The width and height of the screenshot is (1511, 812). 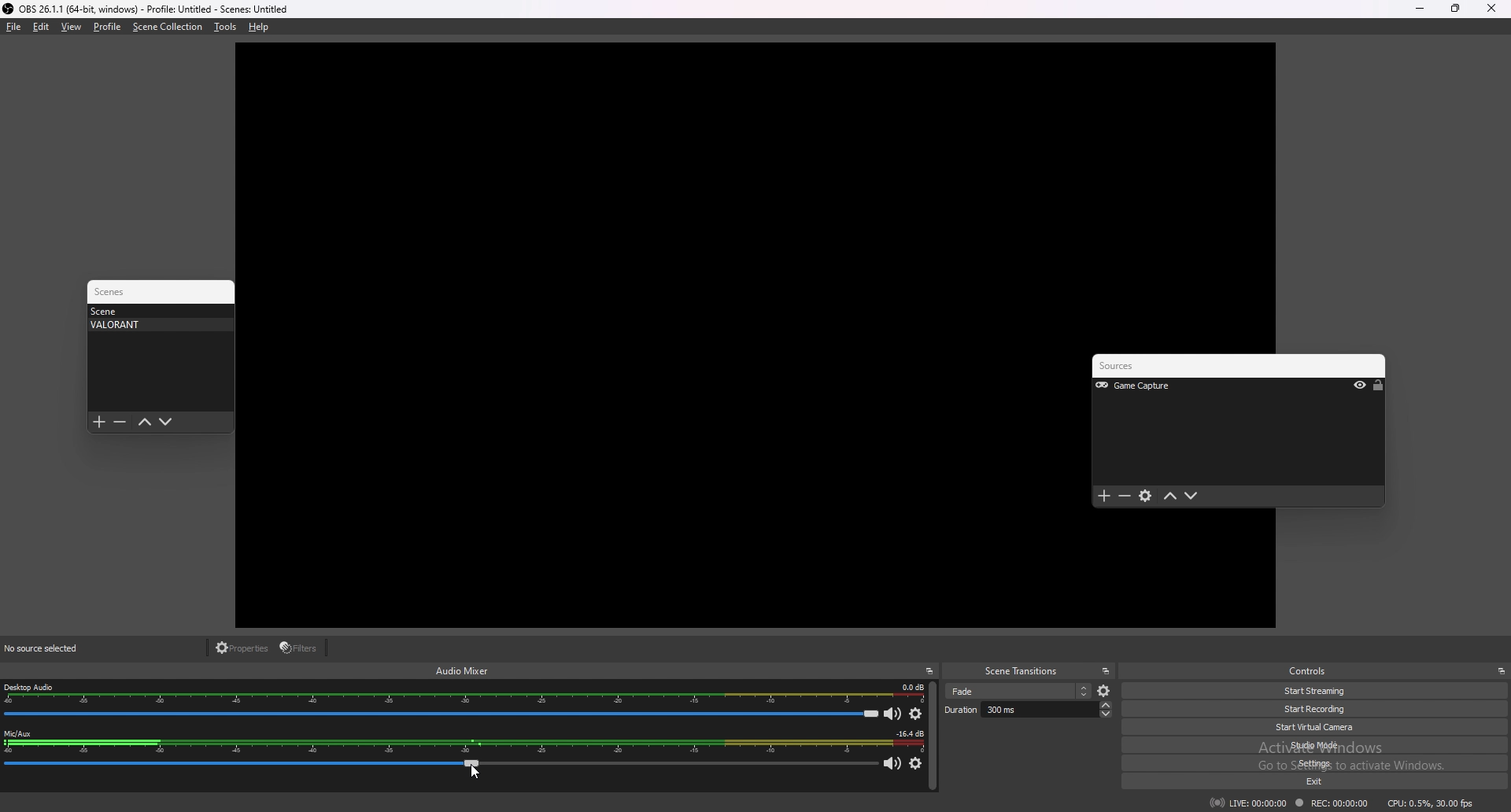 I want to click on mic/aux settings, so click(x=915, y=764).